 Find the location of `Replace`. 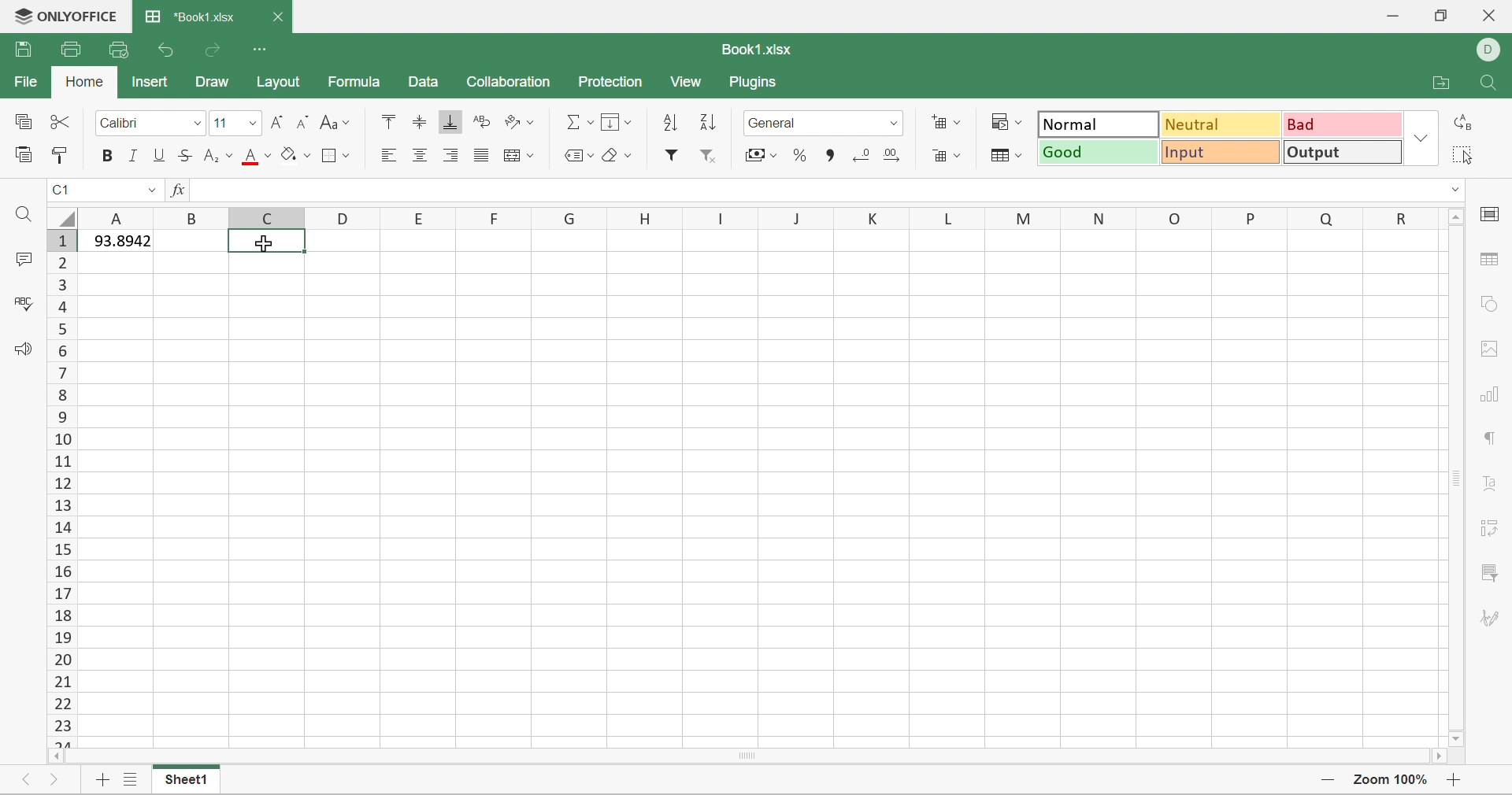

Replace is located at coordinates (1462, 124).